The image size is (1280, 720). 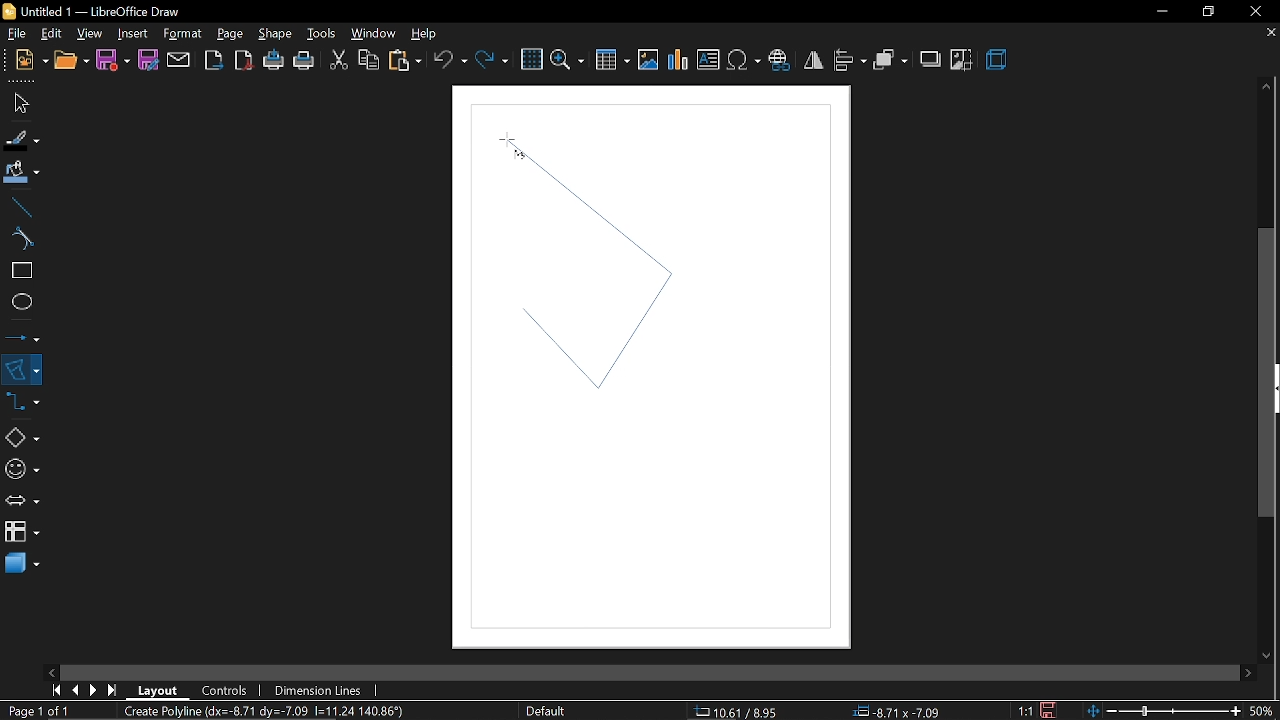 I want to click on arrows, so click(x=22, y=502).